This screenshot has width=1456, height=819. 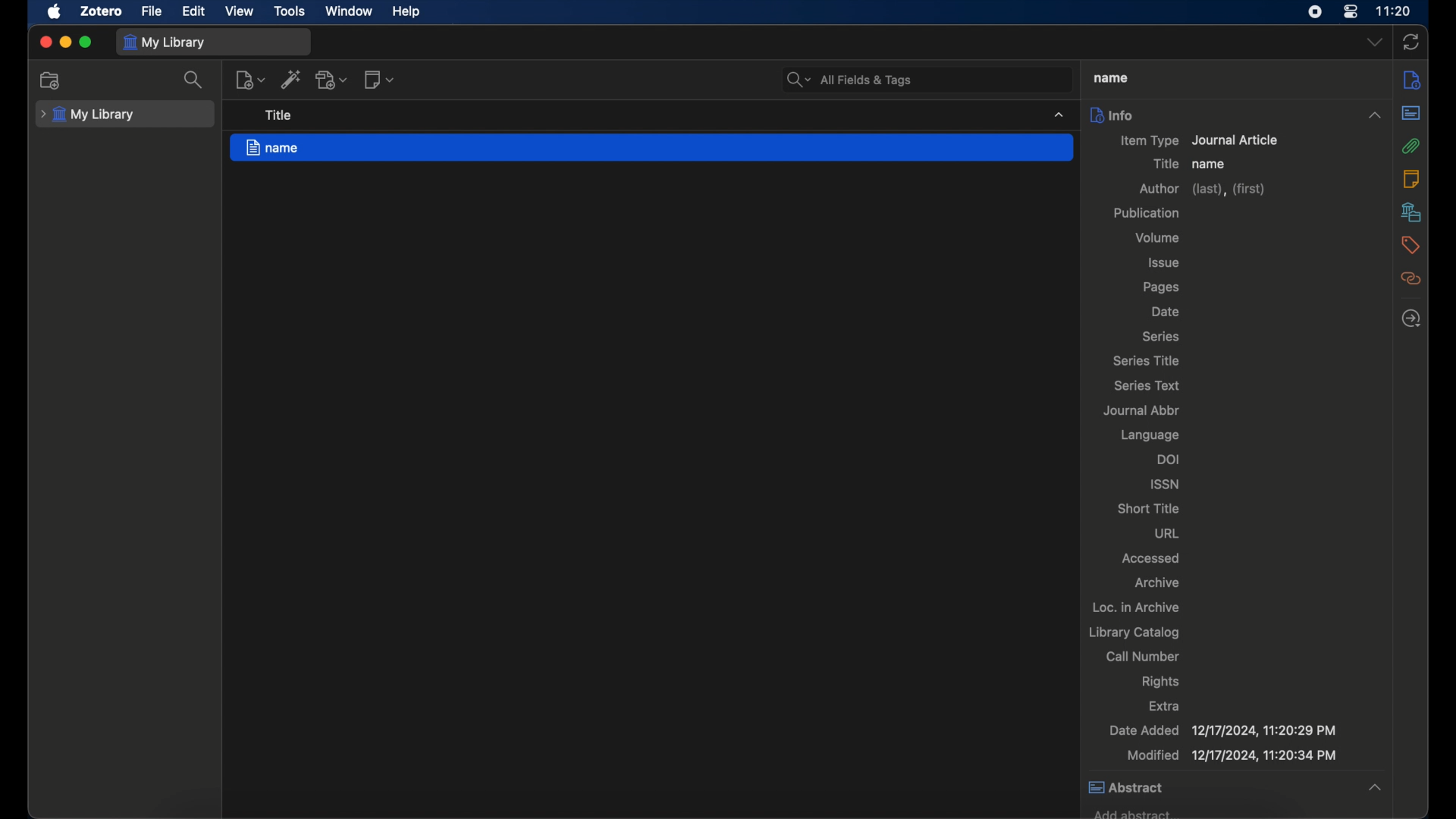 I want to click on close, so click(x=45, y=42).